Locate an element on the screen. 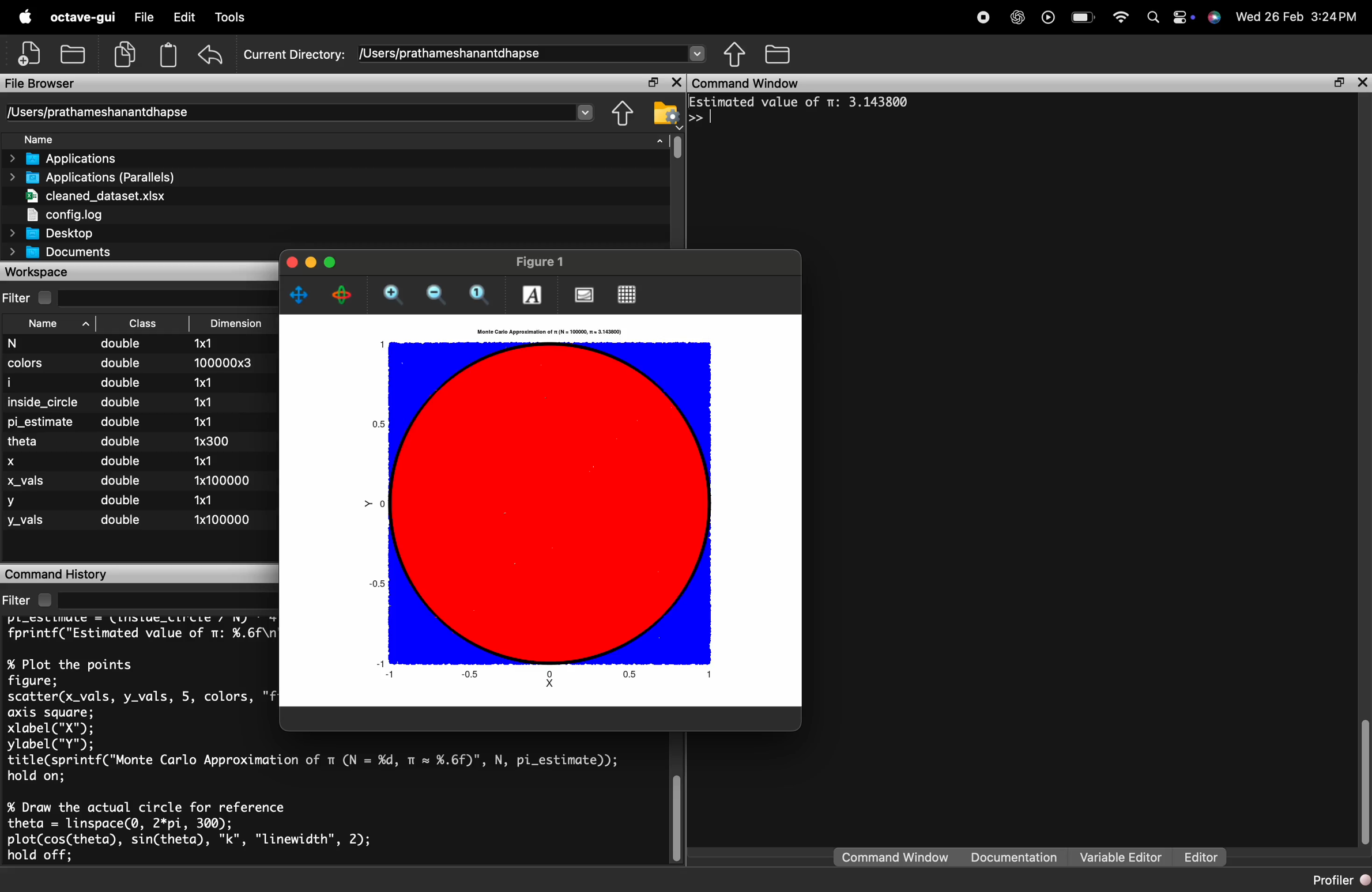 The image size is (1372, 892). Class is located at coordinates (140, 325).